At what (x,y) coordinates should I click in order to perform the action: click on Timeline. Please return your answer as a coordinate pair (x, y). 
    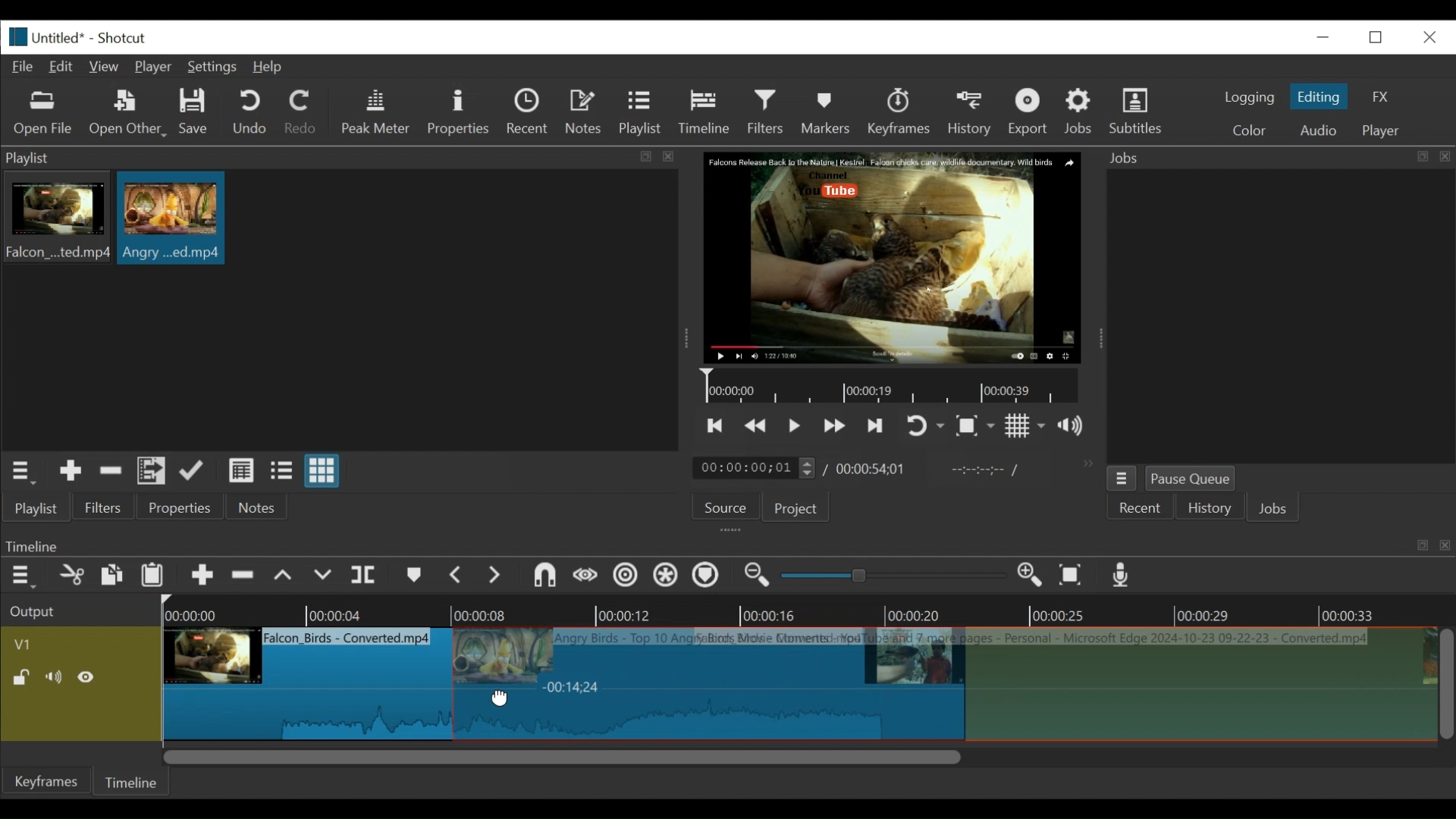
    Looking at the image, I should click on (134, 780).